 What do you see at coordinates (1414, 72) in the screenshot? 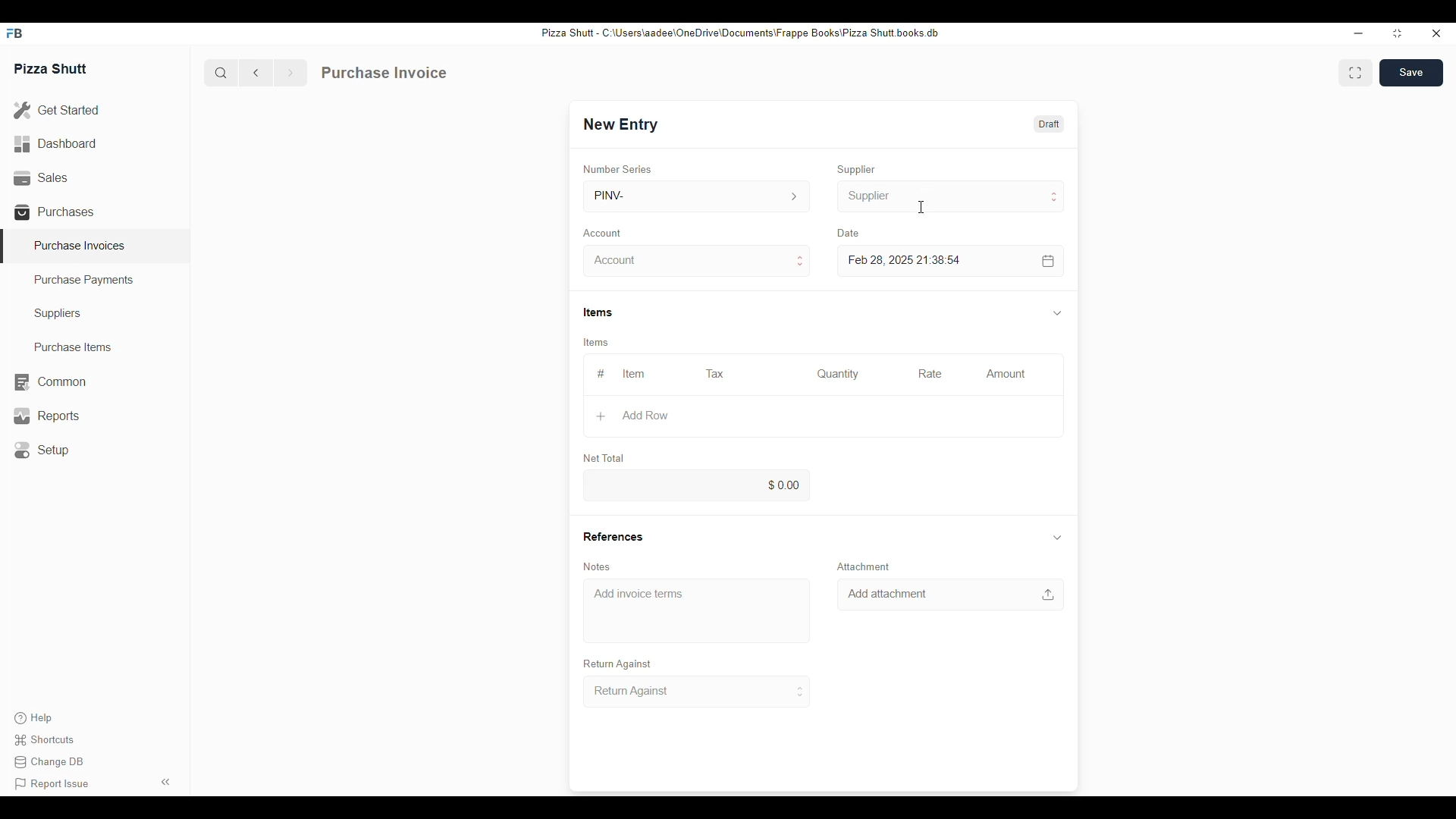
I see `Save` at bounding box center [1414, 72].